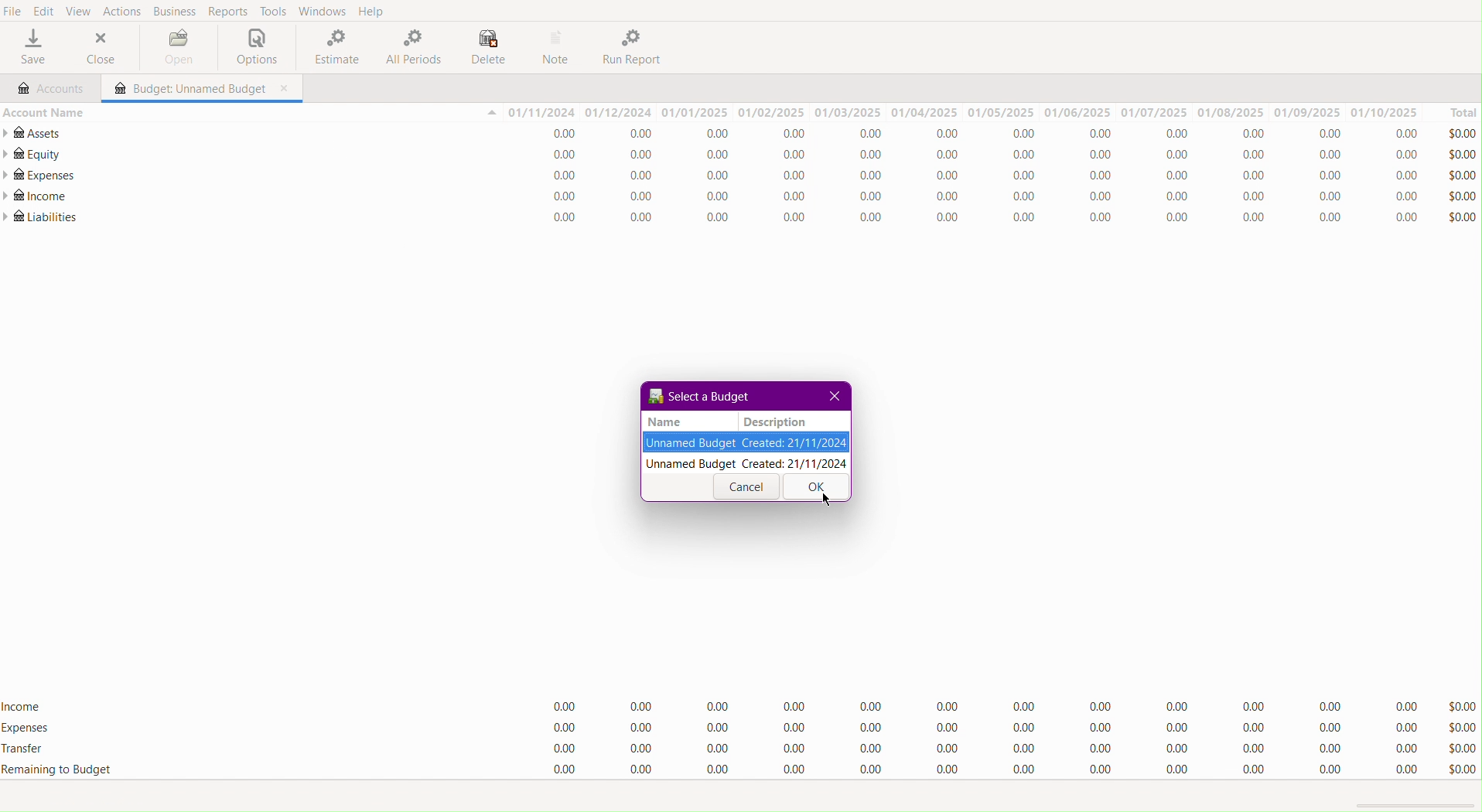  I want to click on Total Values, so click(1463, 173).